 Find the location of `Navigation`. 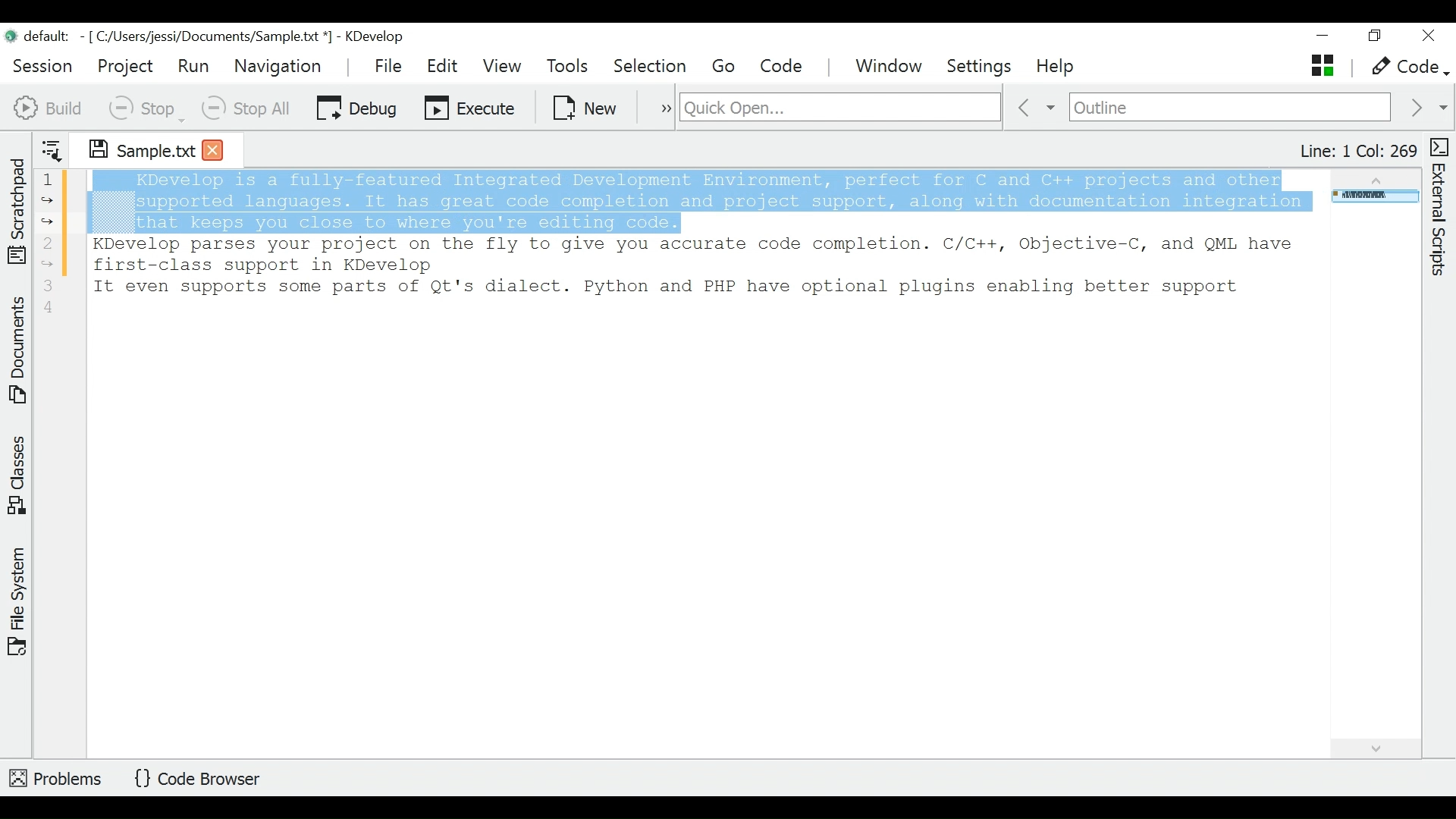

Navigation is located at coordinates (281, 66).